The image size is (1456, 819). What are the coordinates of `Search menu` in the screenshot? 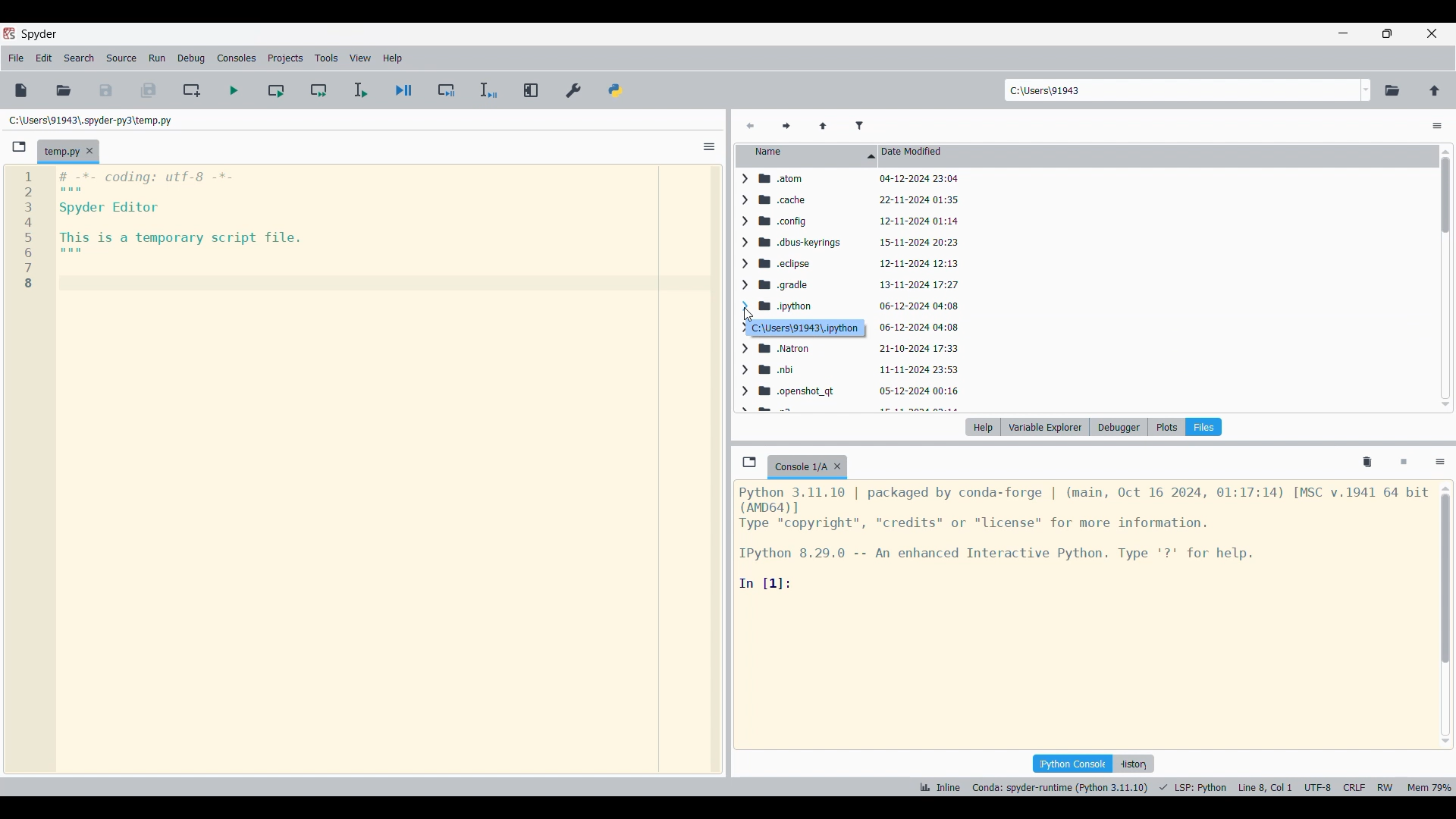 It's located at (80, 58).